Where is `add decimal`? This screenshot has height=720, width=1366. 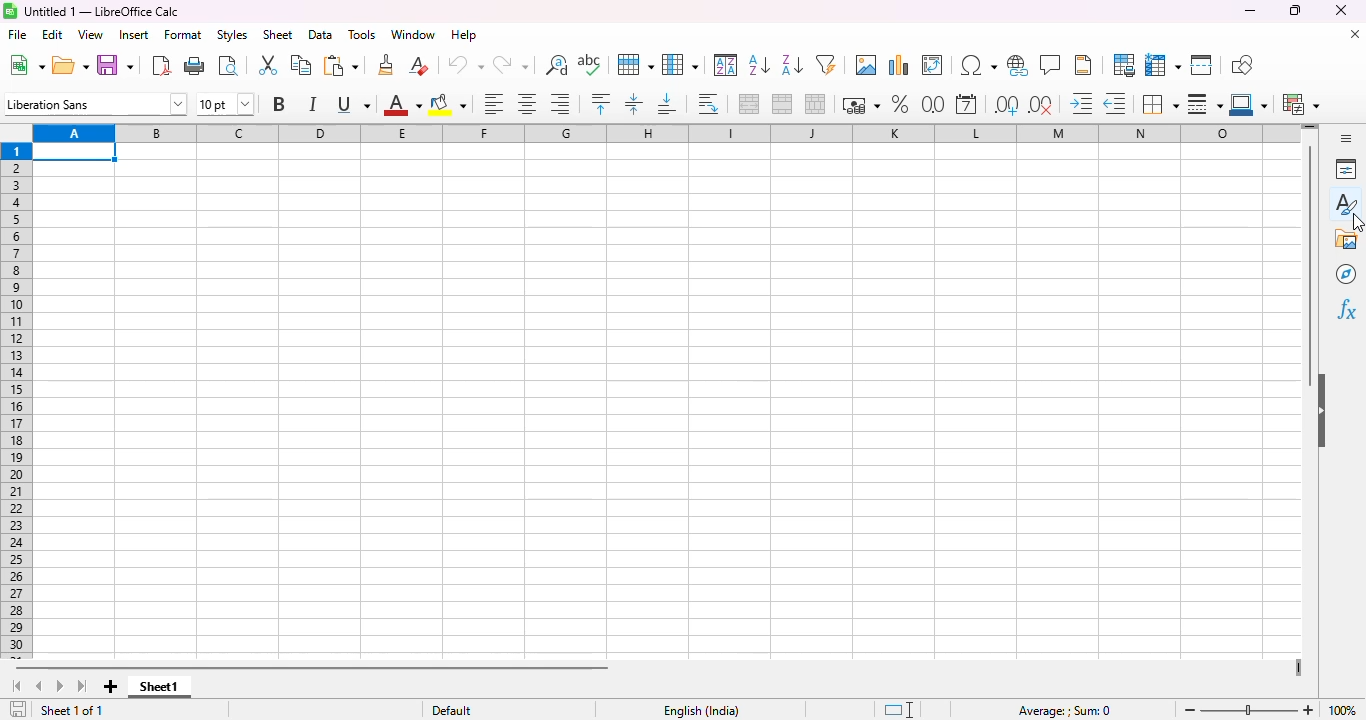
add decimal is located at coordinates (1007, 105).